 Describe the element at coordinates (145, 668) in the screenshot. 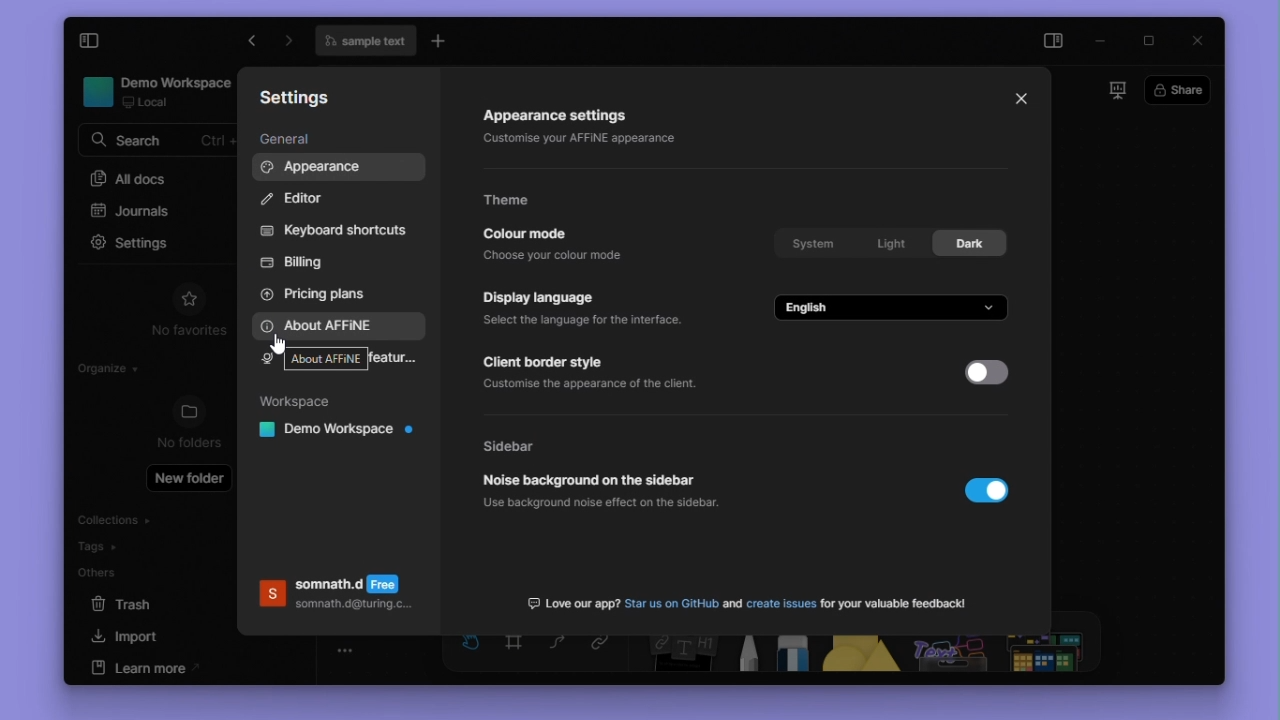

I see `learn more` at that location.